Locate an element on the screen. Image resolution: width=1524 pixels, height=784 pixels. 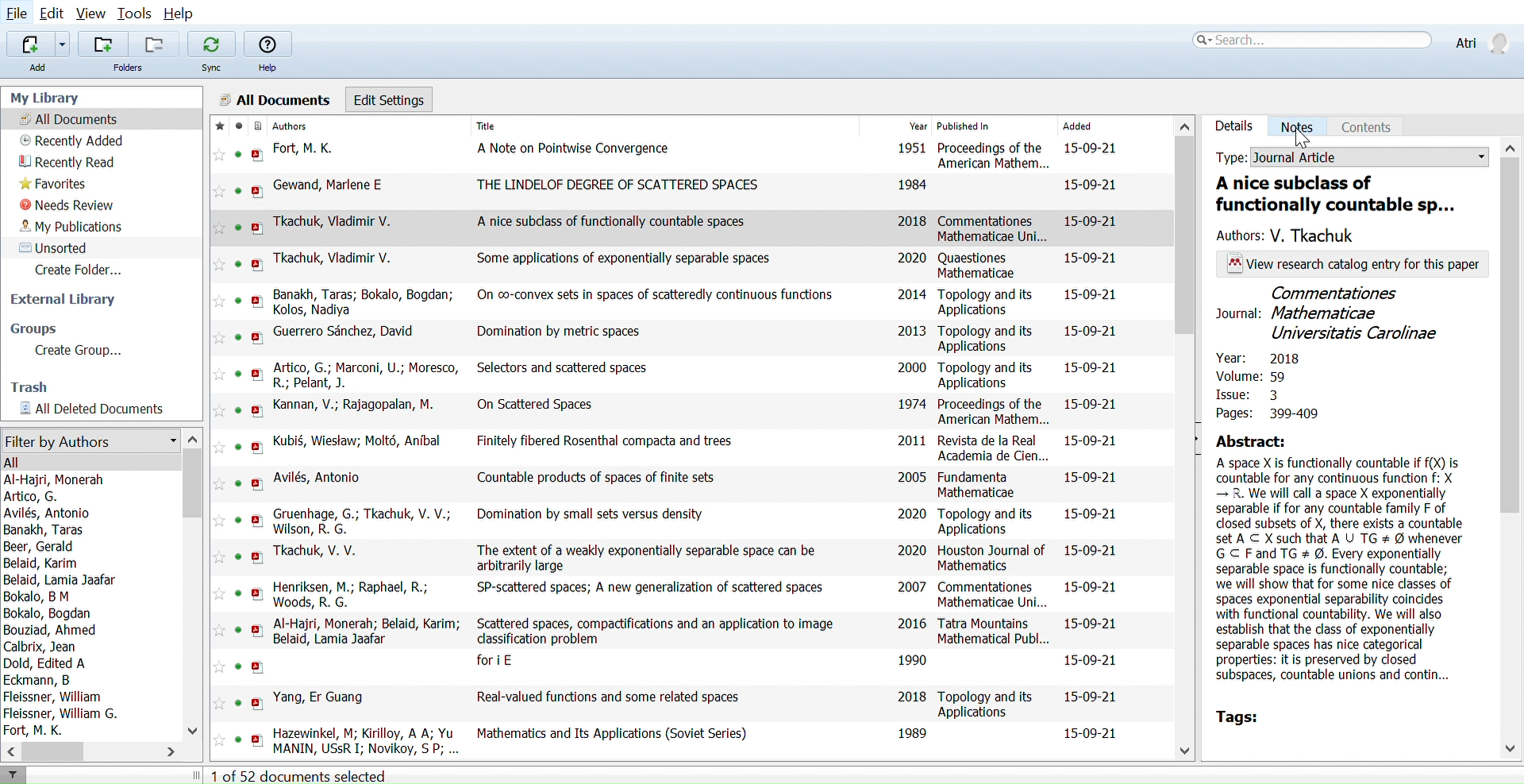
Mark as favorite is located at coordinates (217, 126).